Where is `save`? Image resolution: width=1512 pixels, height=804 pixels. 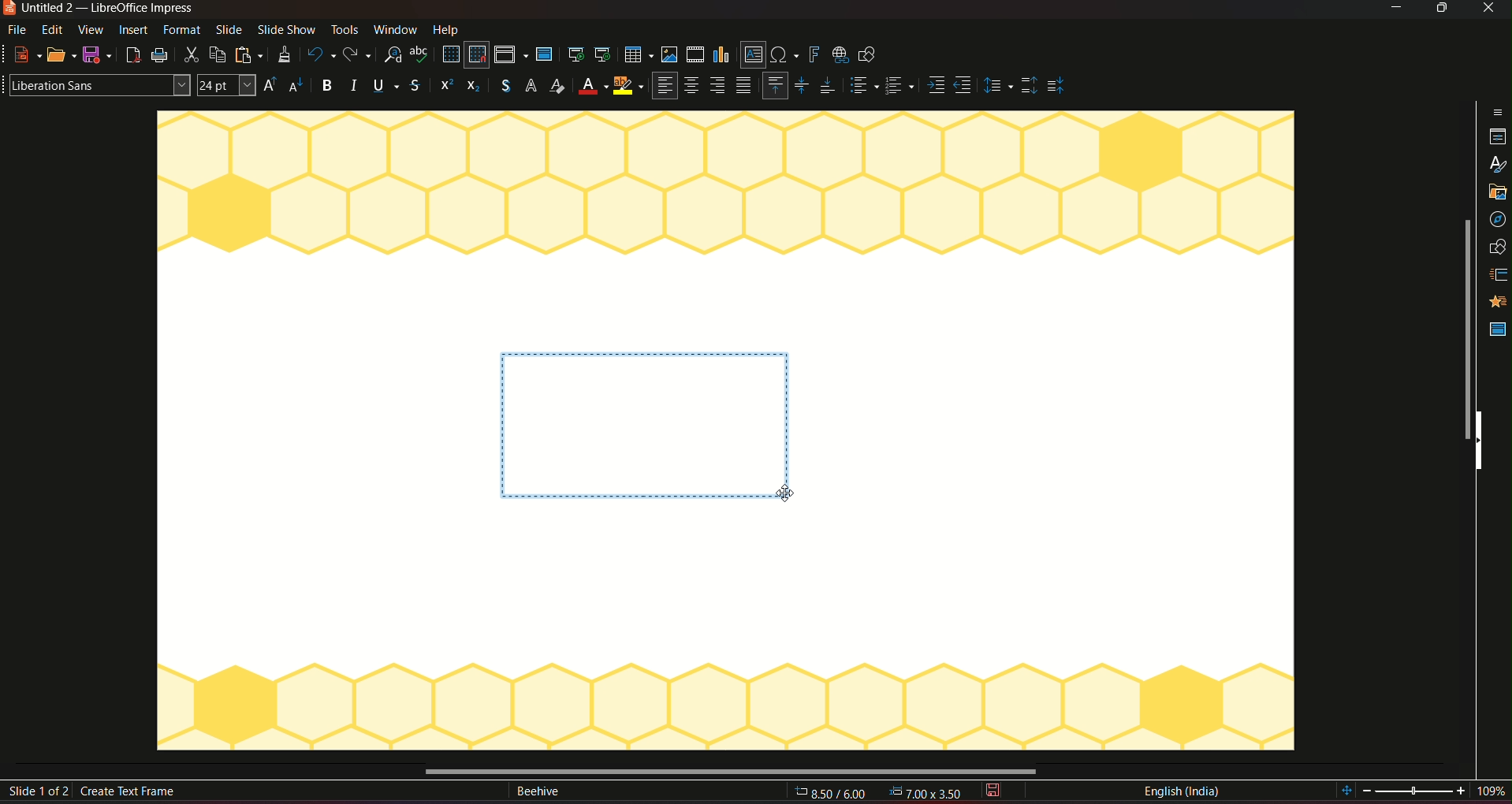 save is located at coordinates (97, 54).